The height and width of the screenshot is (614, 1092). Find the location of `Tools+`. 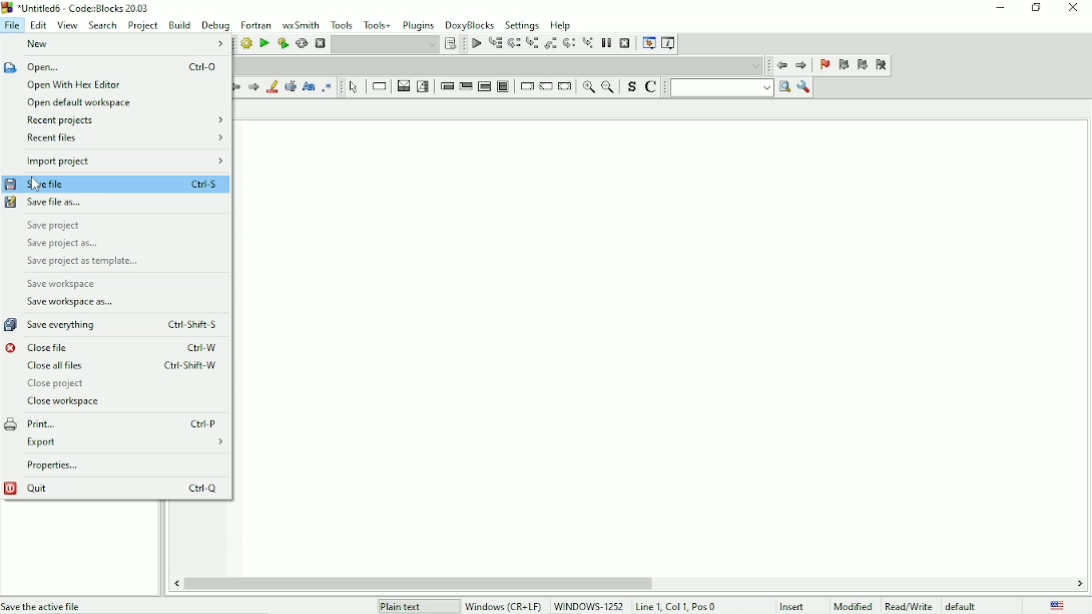

Tools+ is located at coordinates (377, 23).